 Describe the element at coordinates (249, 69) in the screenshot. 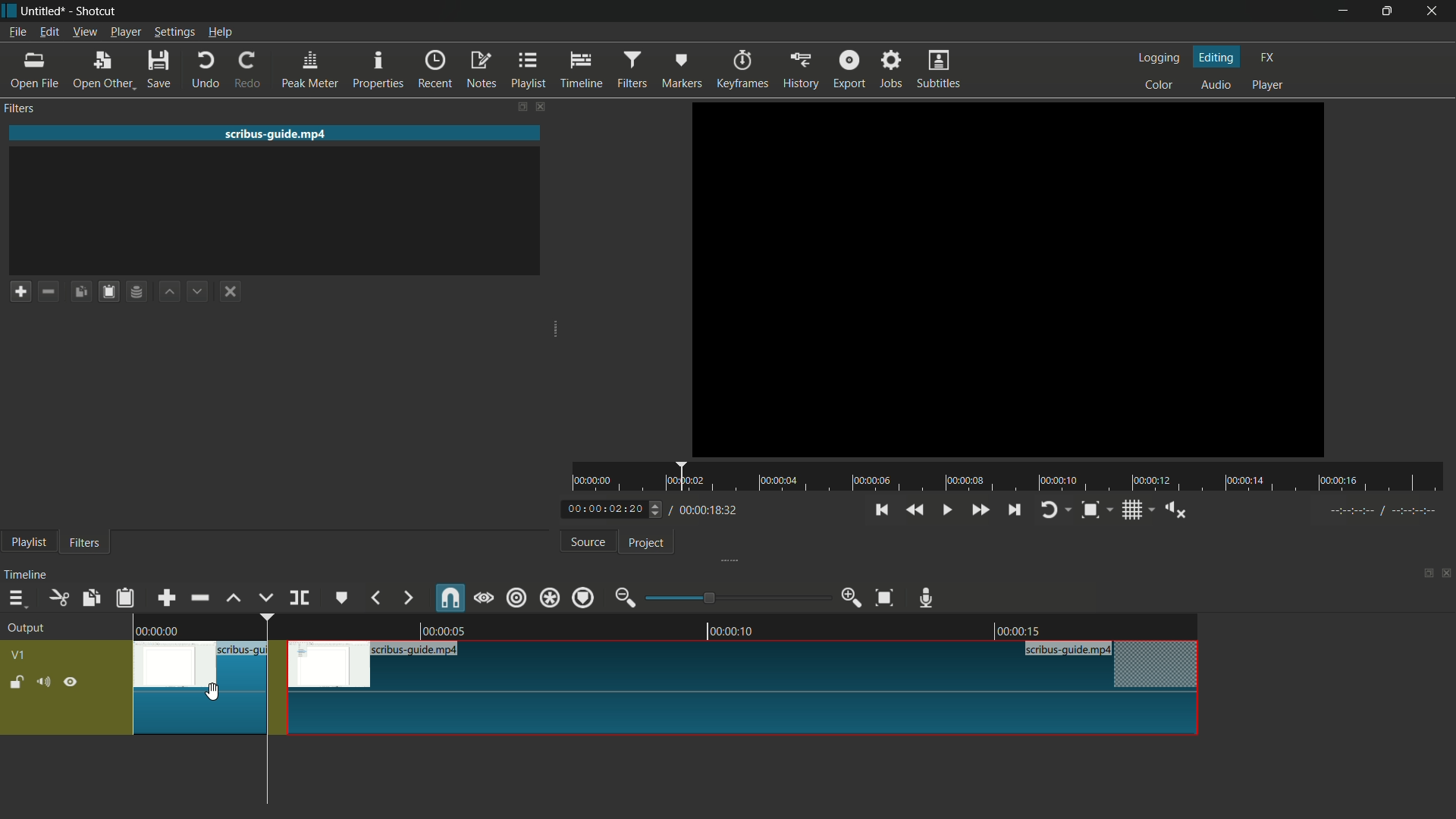

I see `redo` at that location.